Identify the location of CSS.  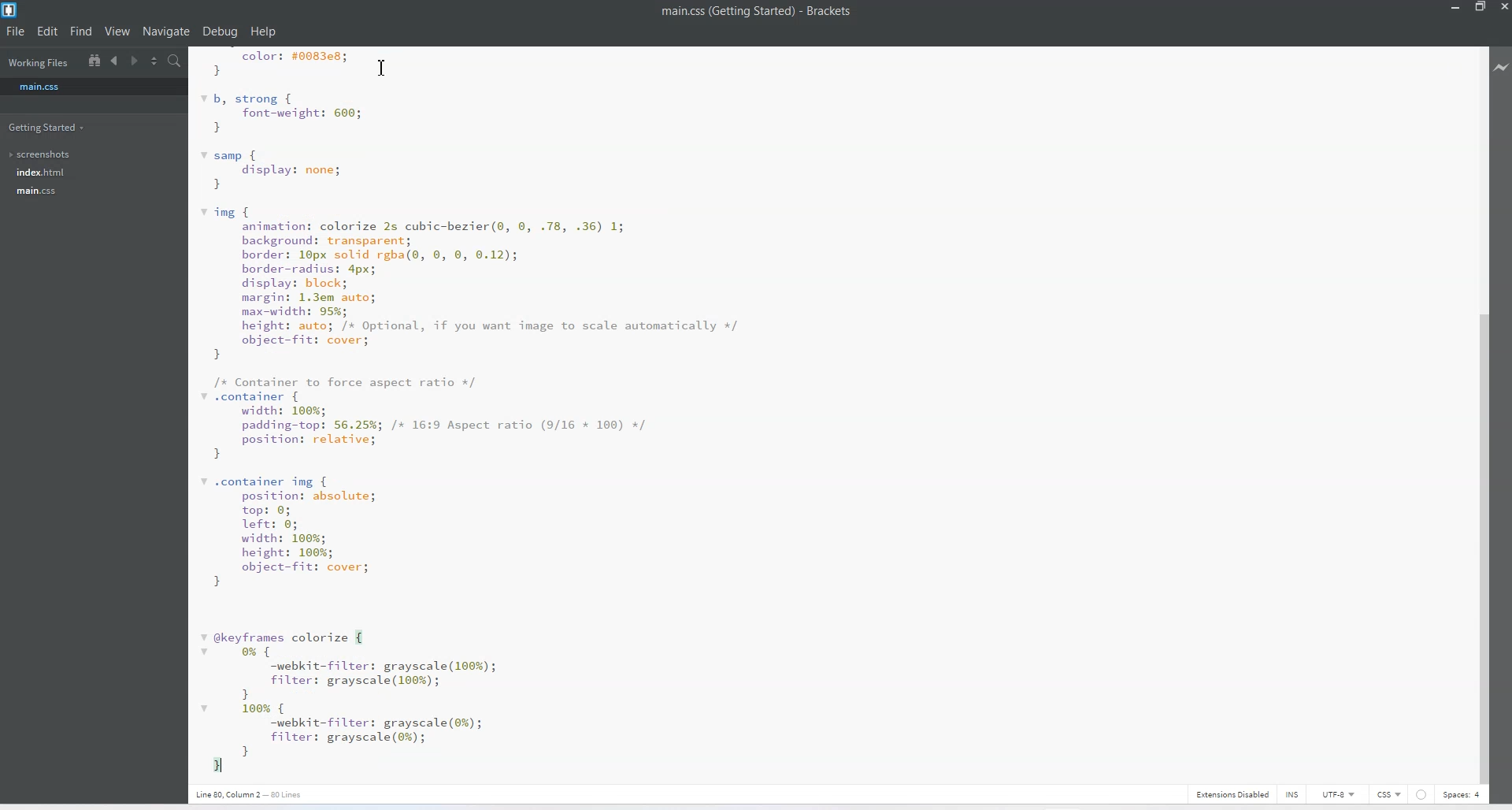
(1388, 794).